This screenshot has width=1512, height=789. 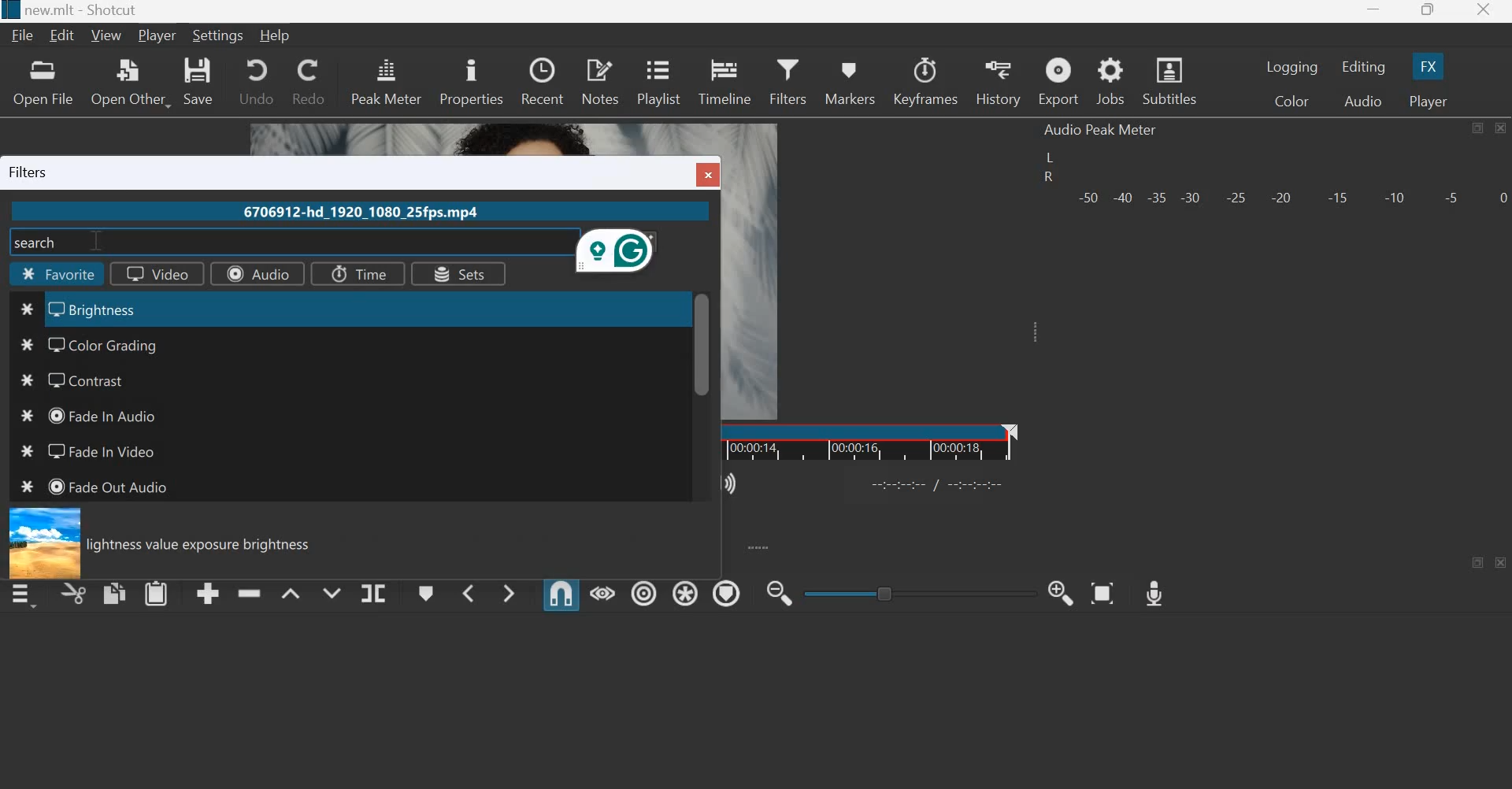 I want to click on close, so click(x=1502, y=563).